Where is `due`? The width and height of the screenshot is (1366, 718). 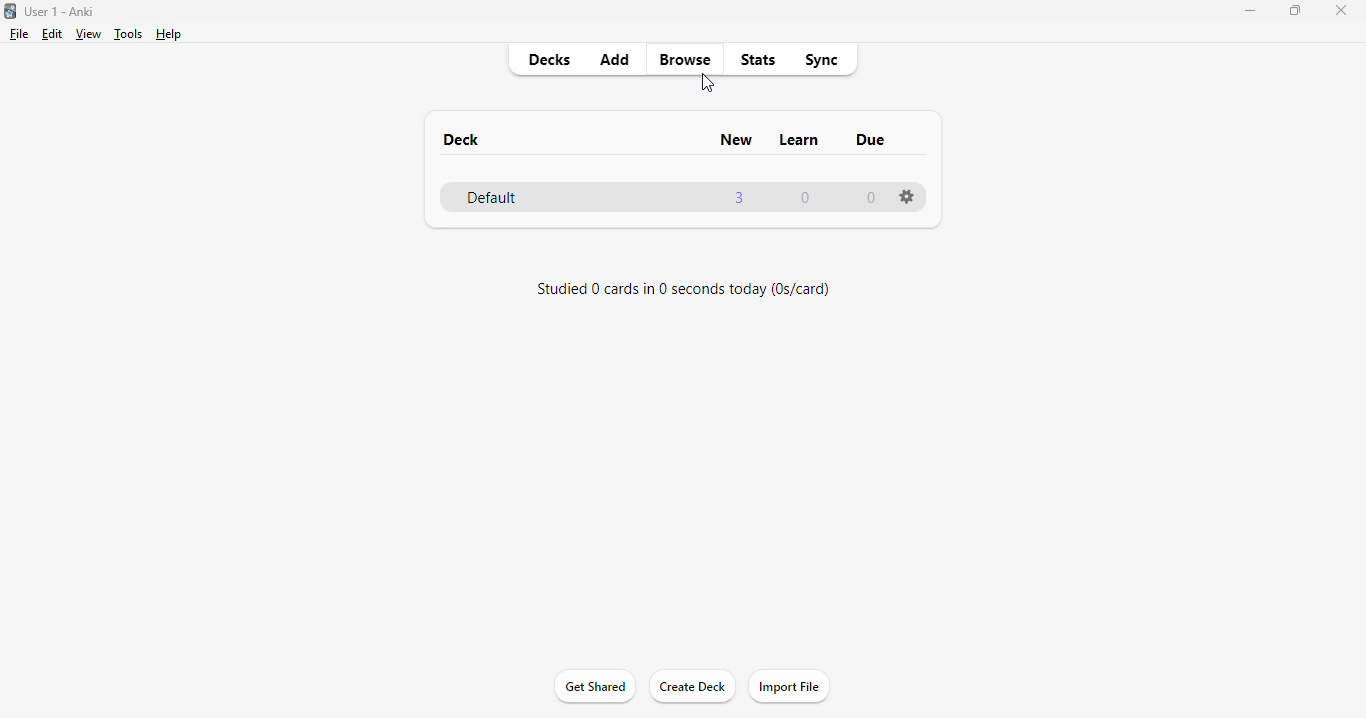
due is located at coordinates (870, 140).